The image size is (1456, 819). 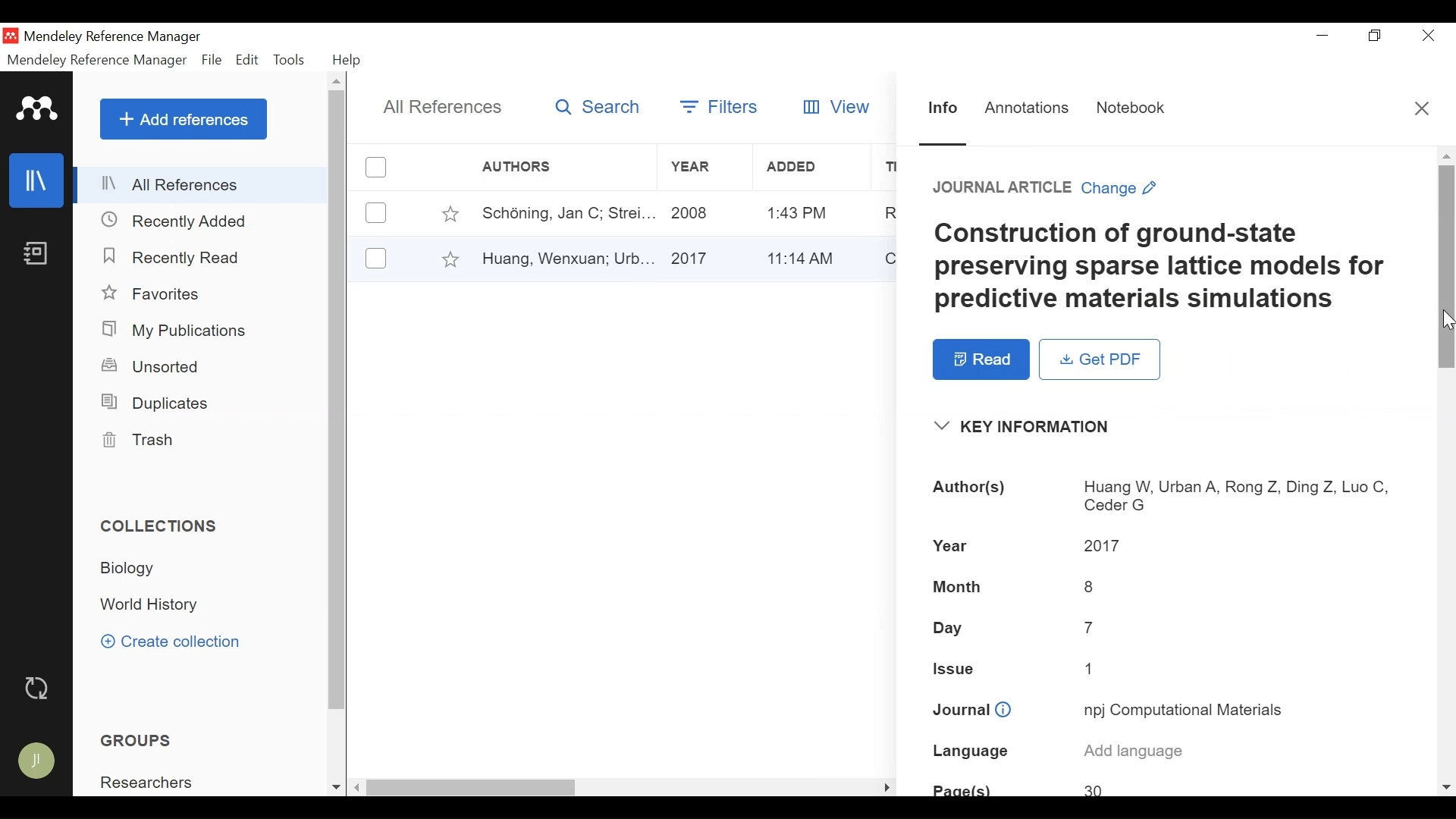 What do you see at coordinates (39, 109) in the screenshot?
I see `Mendeley logo` at bounding box center [39, 109].